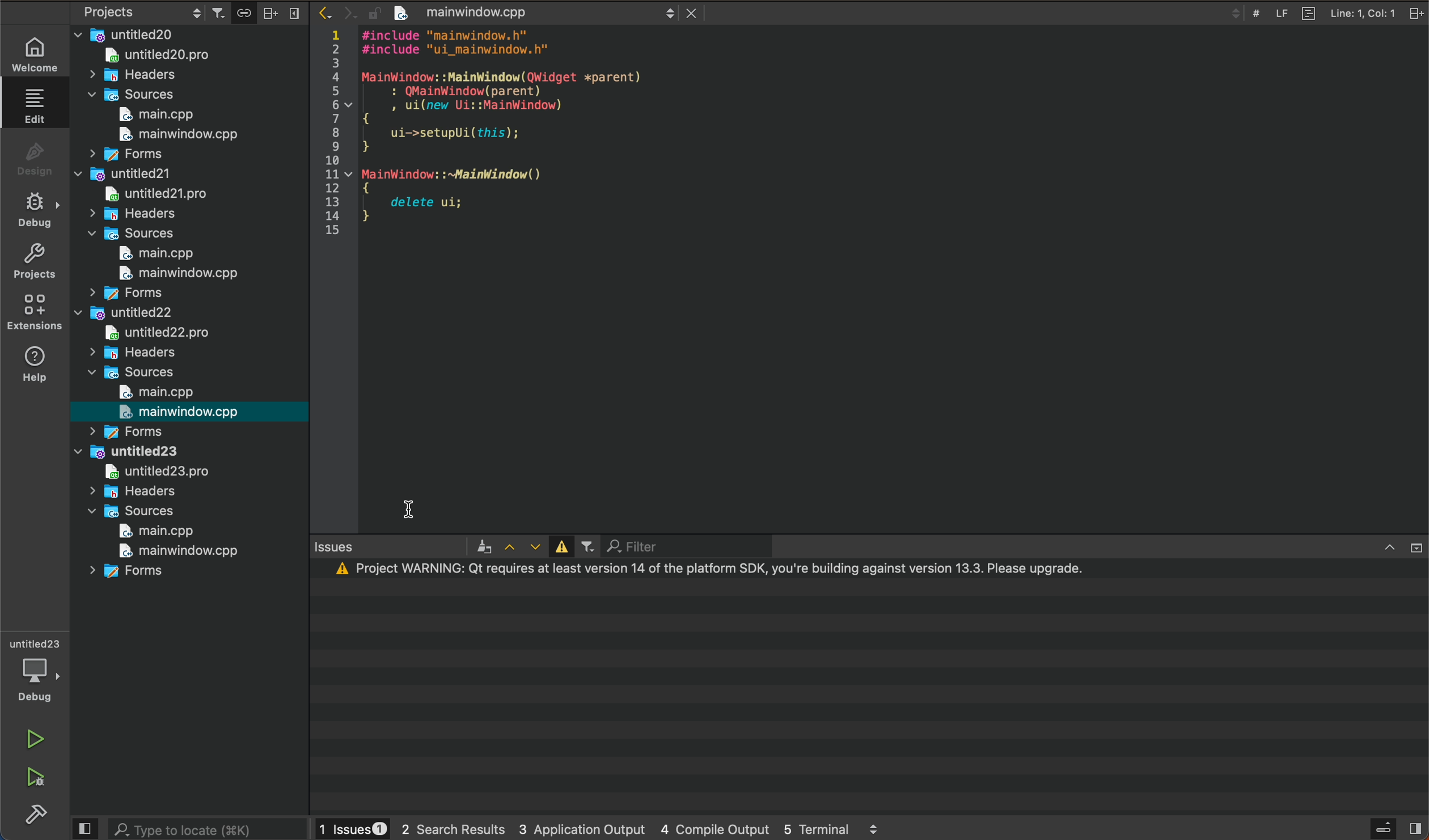 This screenshot has width=1429, height=840. Describe the element at coordinates (1280, 13) in the screenshot. I see `LF` at that location.